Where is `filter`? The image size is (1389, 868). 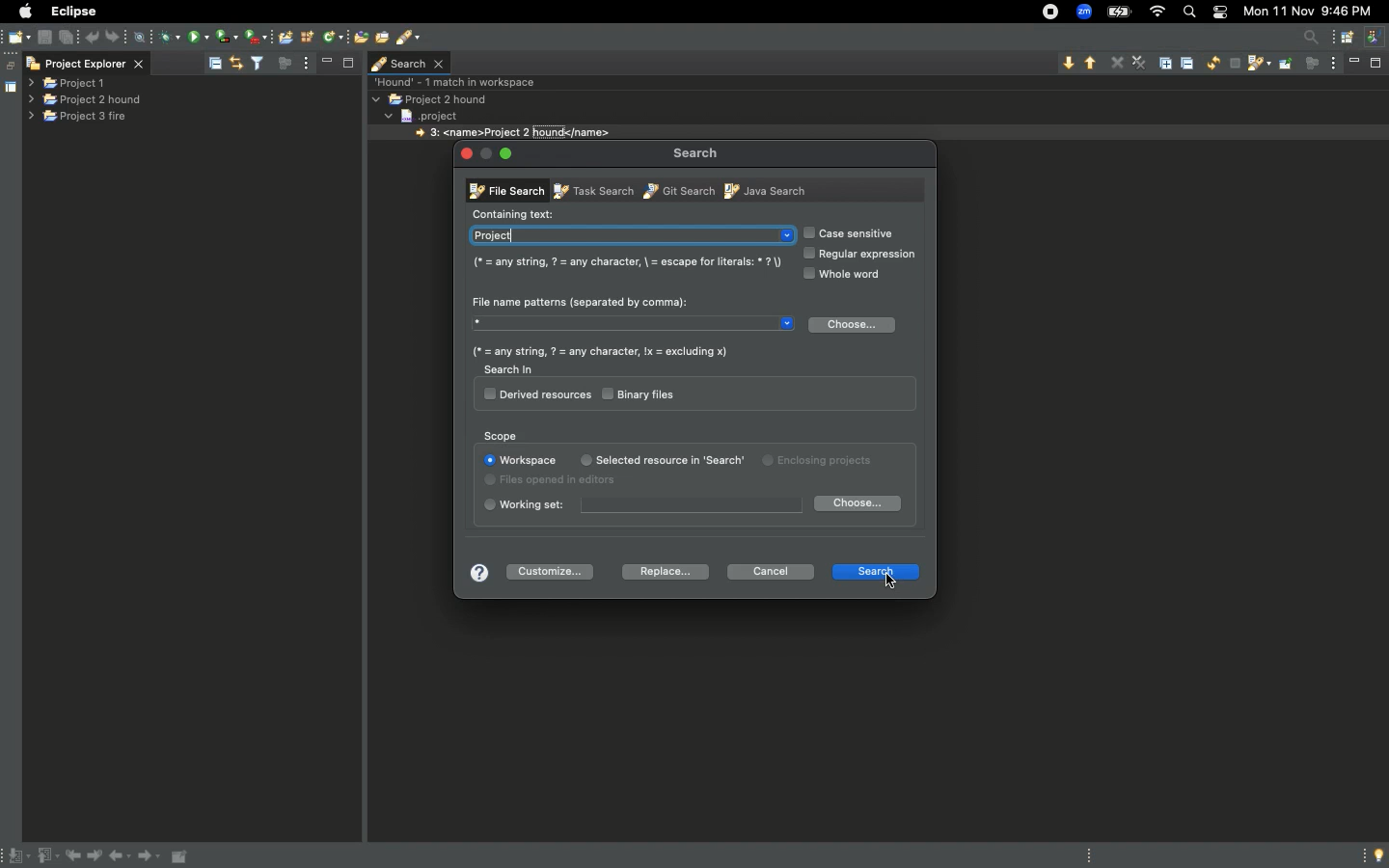 filter is located at coordinates (258, 63).